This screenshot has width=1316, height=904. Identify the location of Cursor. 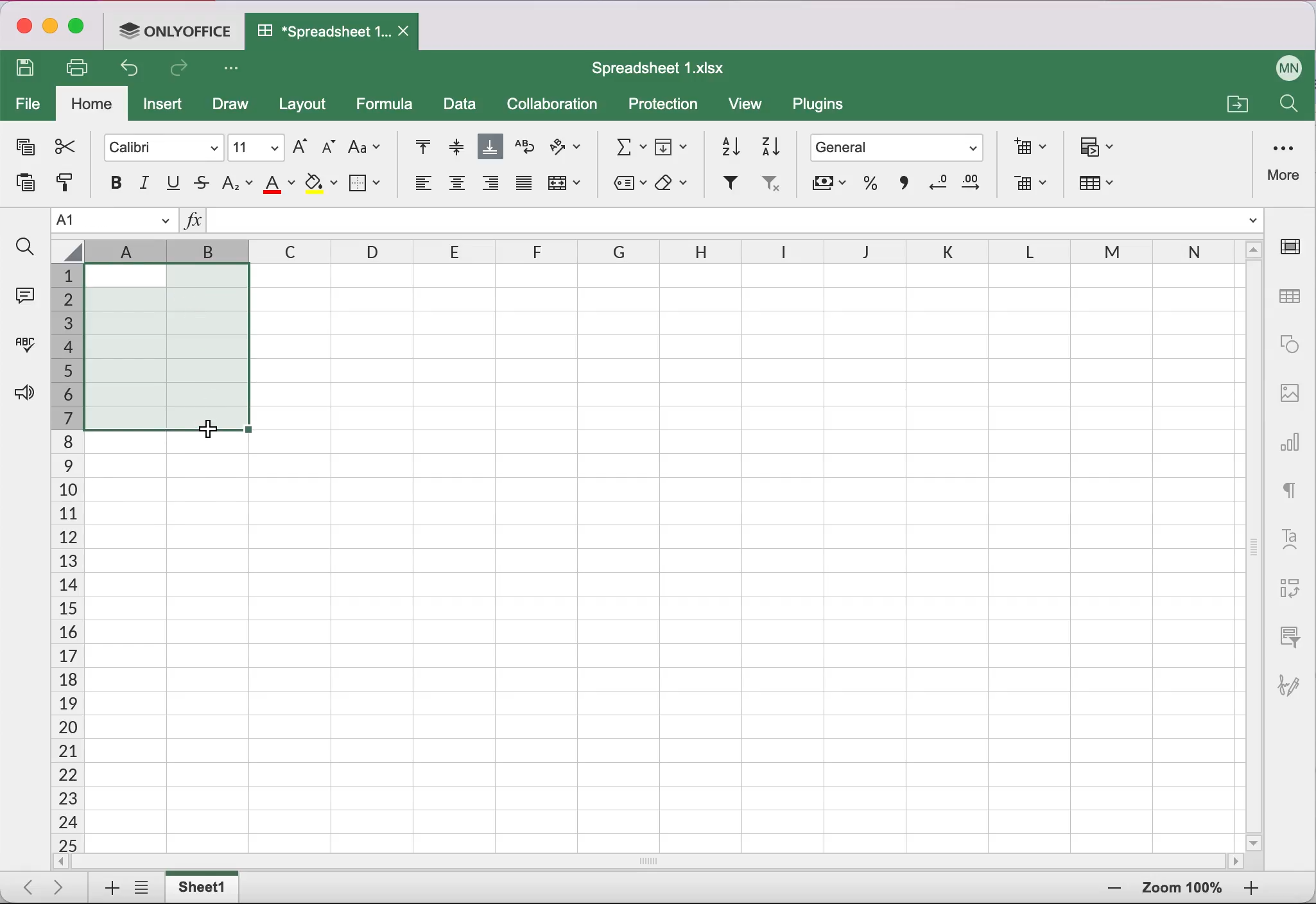
(203, 429).